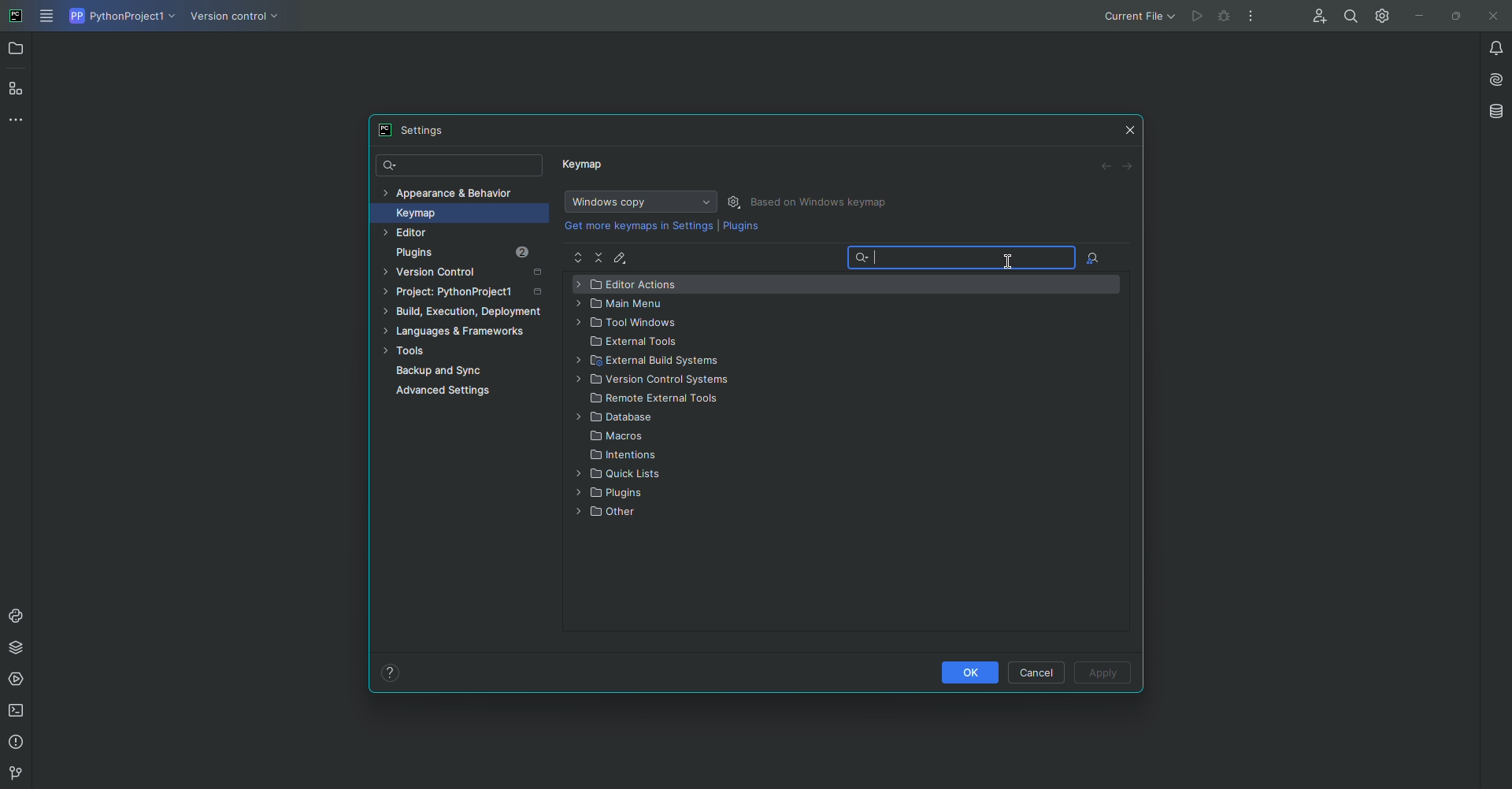 The height and width of the screenshot is (789, 1512). Describe the element at coordinates (1010, 259) in the screenshot. I see `Cursor` at that location.